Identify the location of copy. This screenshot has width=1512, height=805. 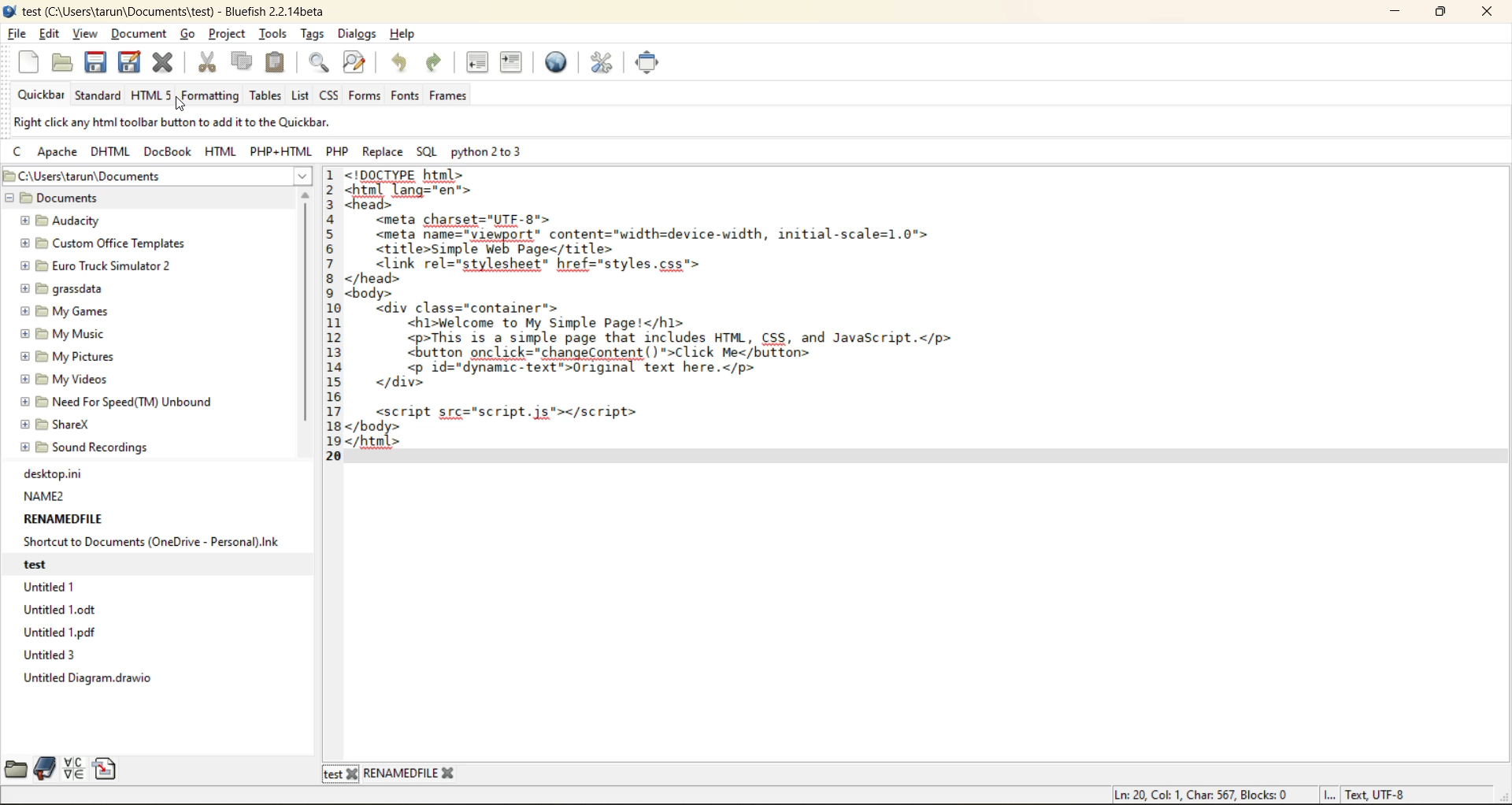
(242, 63).